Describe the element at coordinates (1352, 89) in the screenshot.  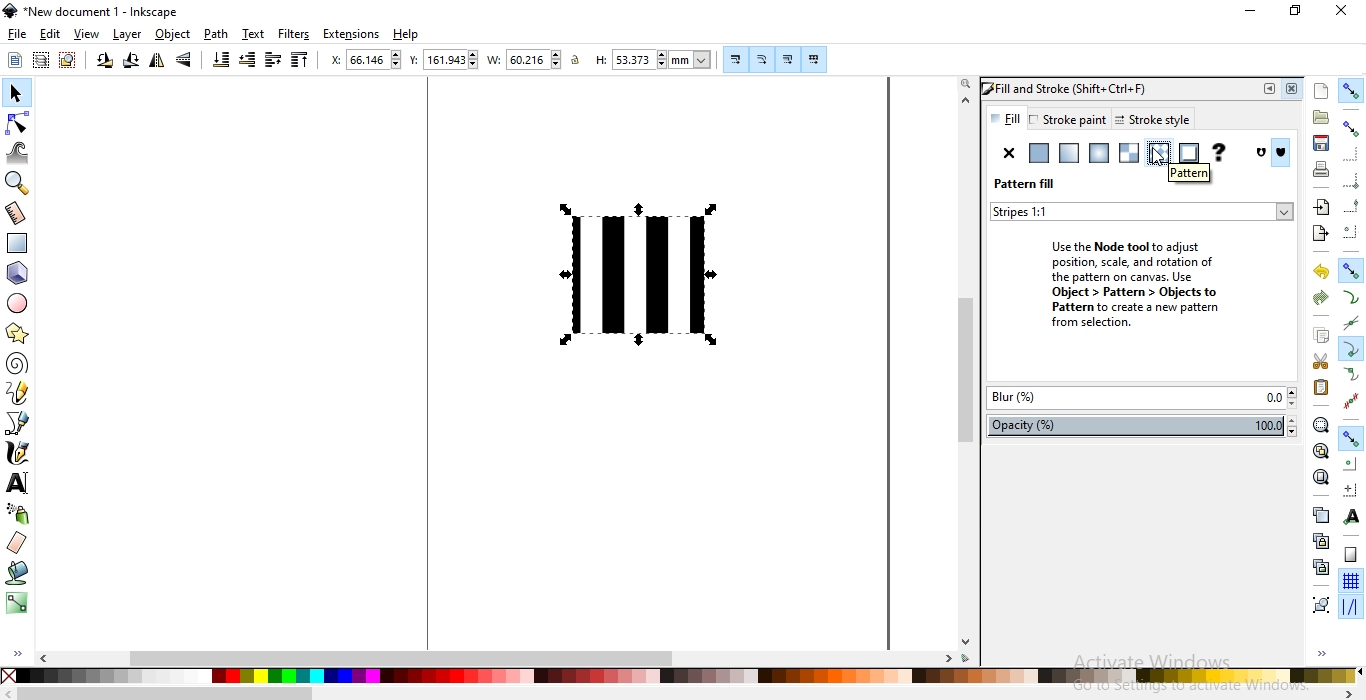
I see `enable snapping` at that location.